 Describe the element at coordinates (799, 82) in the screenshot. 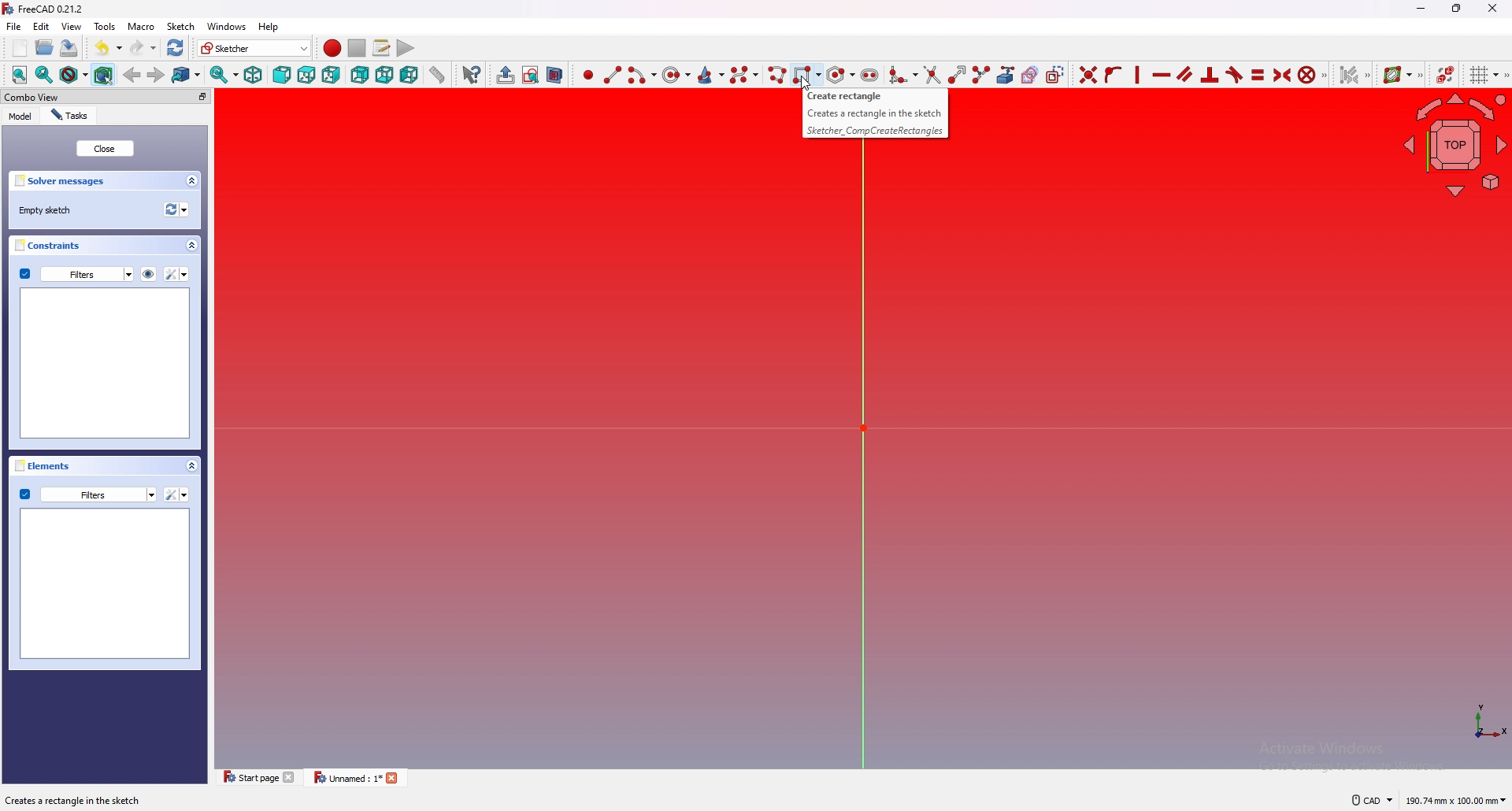

I see `cursor` at that location.